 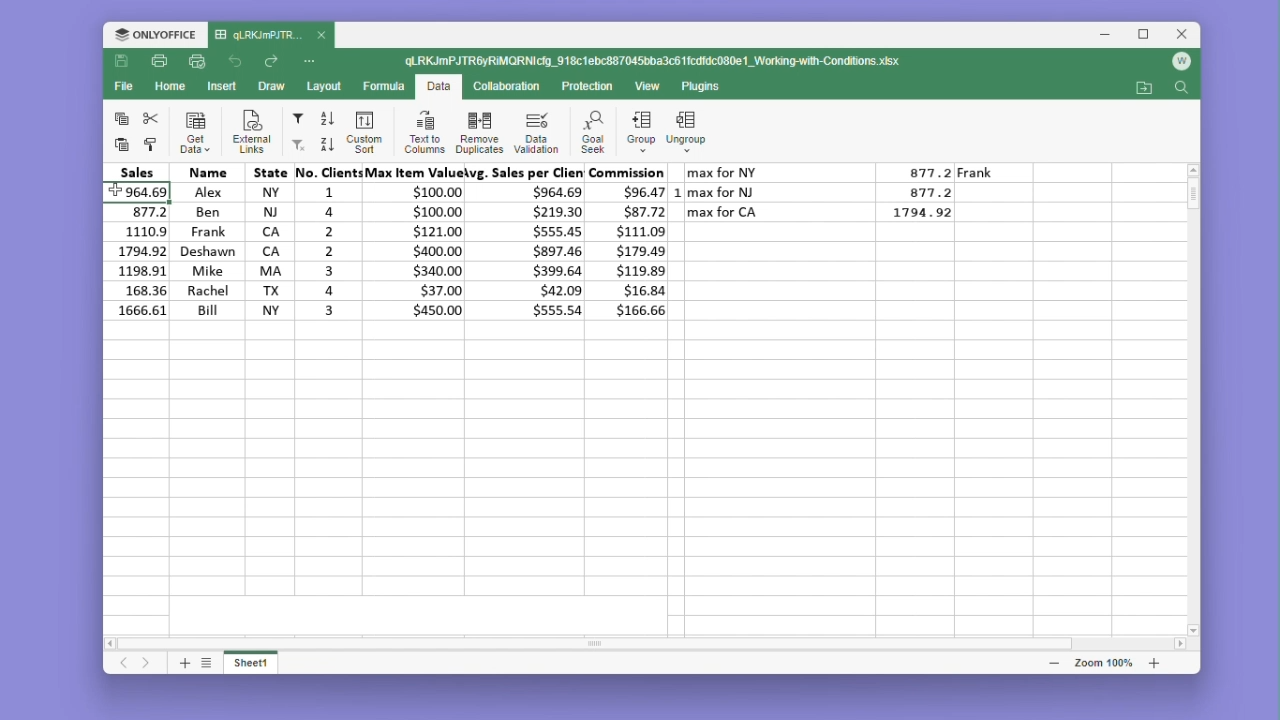 What do you see at coordinates (385, 172) in the screenshot?
I see `Headers` at bounding box center [385, 172].